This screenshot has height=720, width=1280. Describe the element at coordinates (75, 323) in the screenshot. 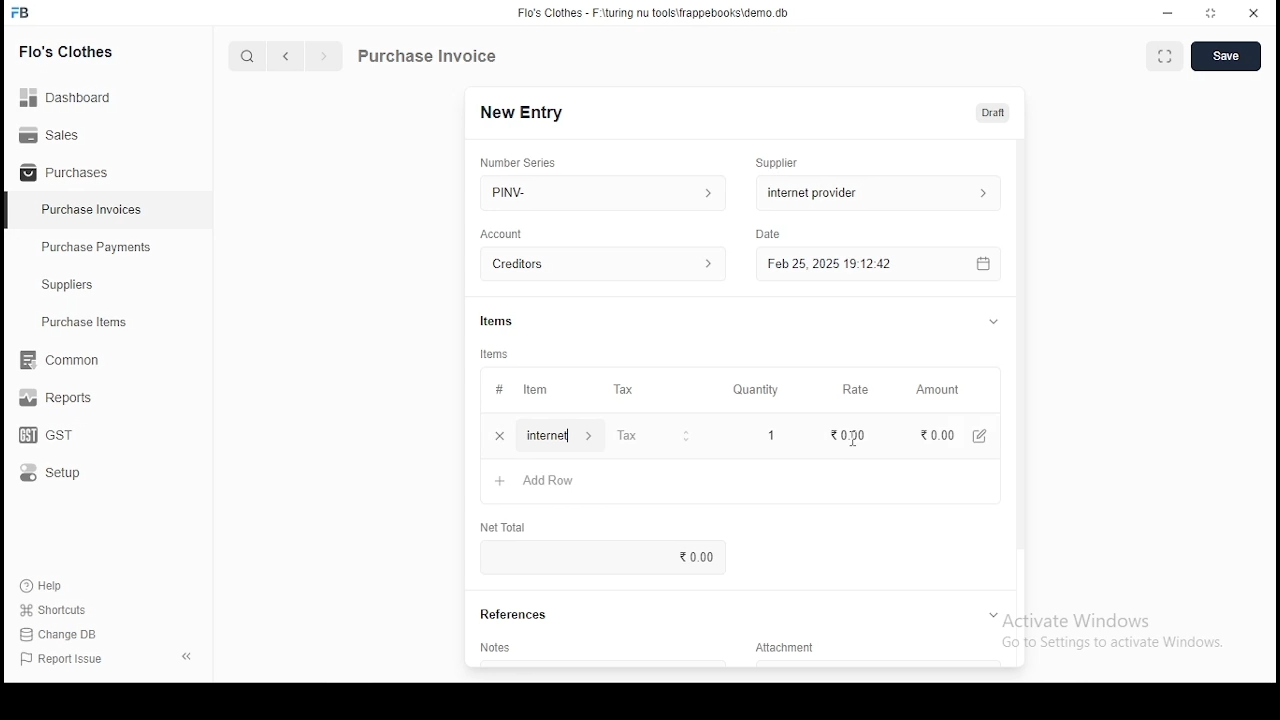

I see `Purchase ltems` at that location.